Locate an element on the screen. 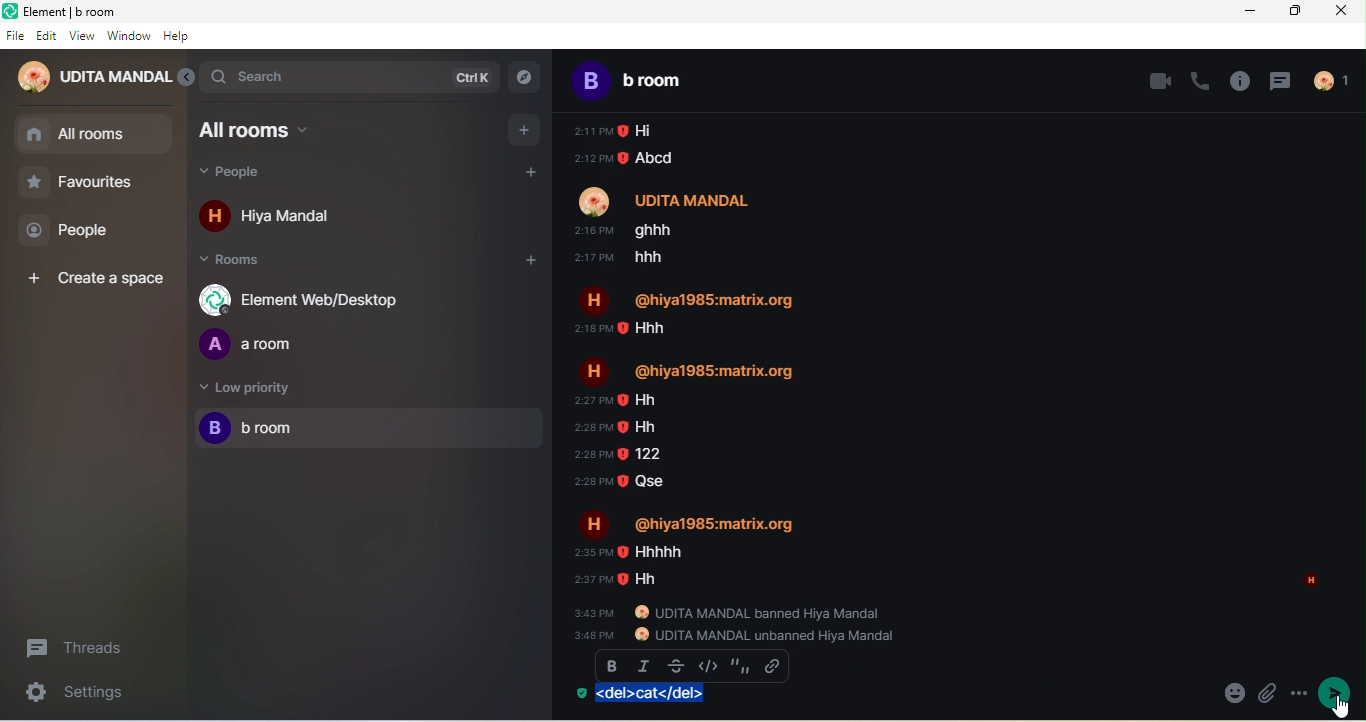  add room is located at coordinates (525, 130).